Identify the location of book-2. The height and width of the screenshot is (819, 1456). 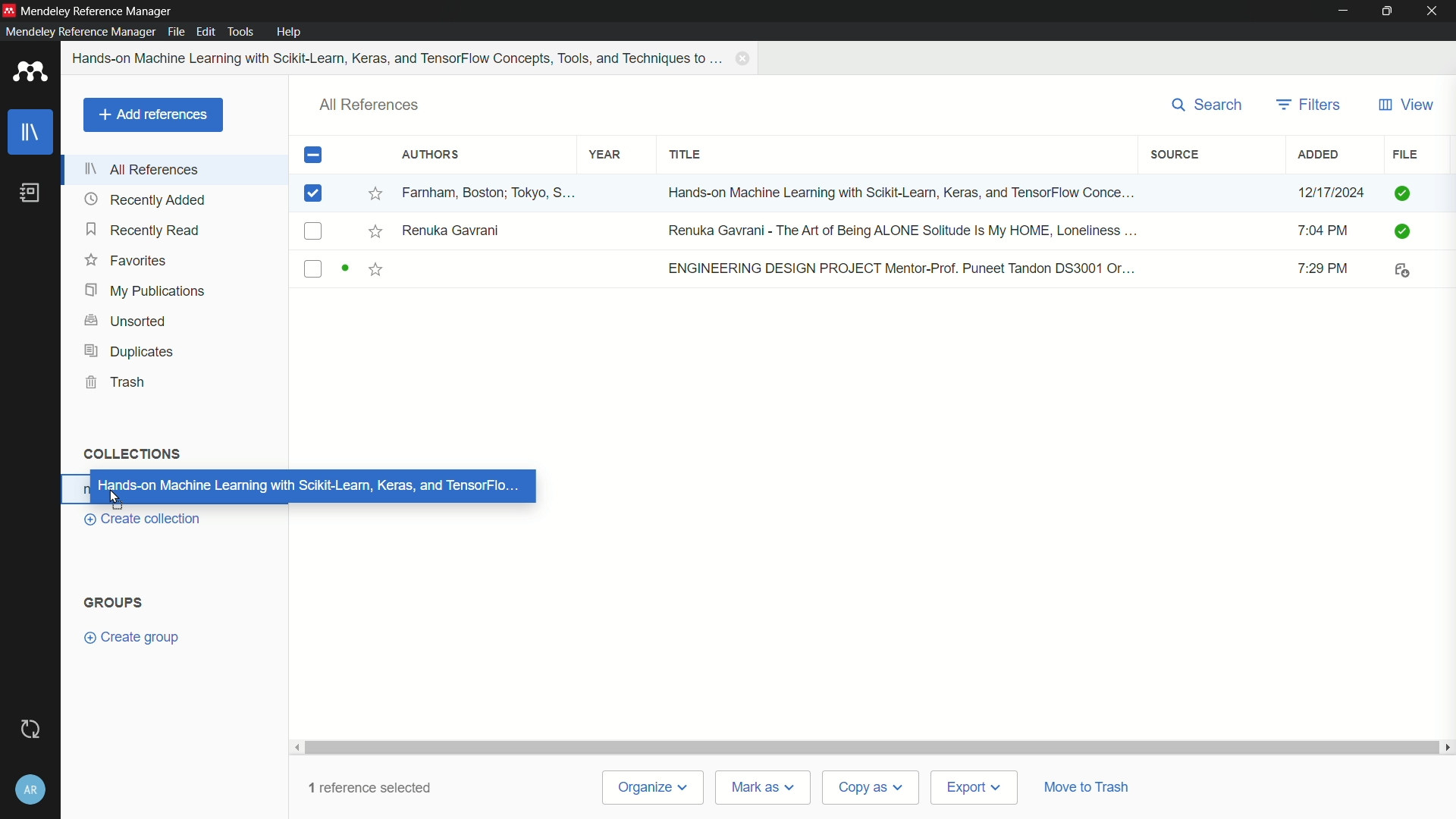
(866, 231).